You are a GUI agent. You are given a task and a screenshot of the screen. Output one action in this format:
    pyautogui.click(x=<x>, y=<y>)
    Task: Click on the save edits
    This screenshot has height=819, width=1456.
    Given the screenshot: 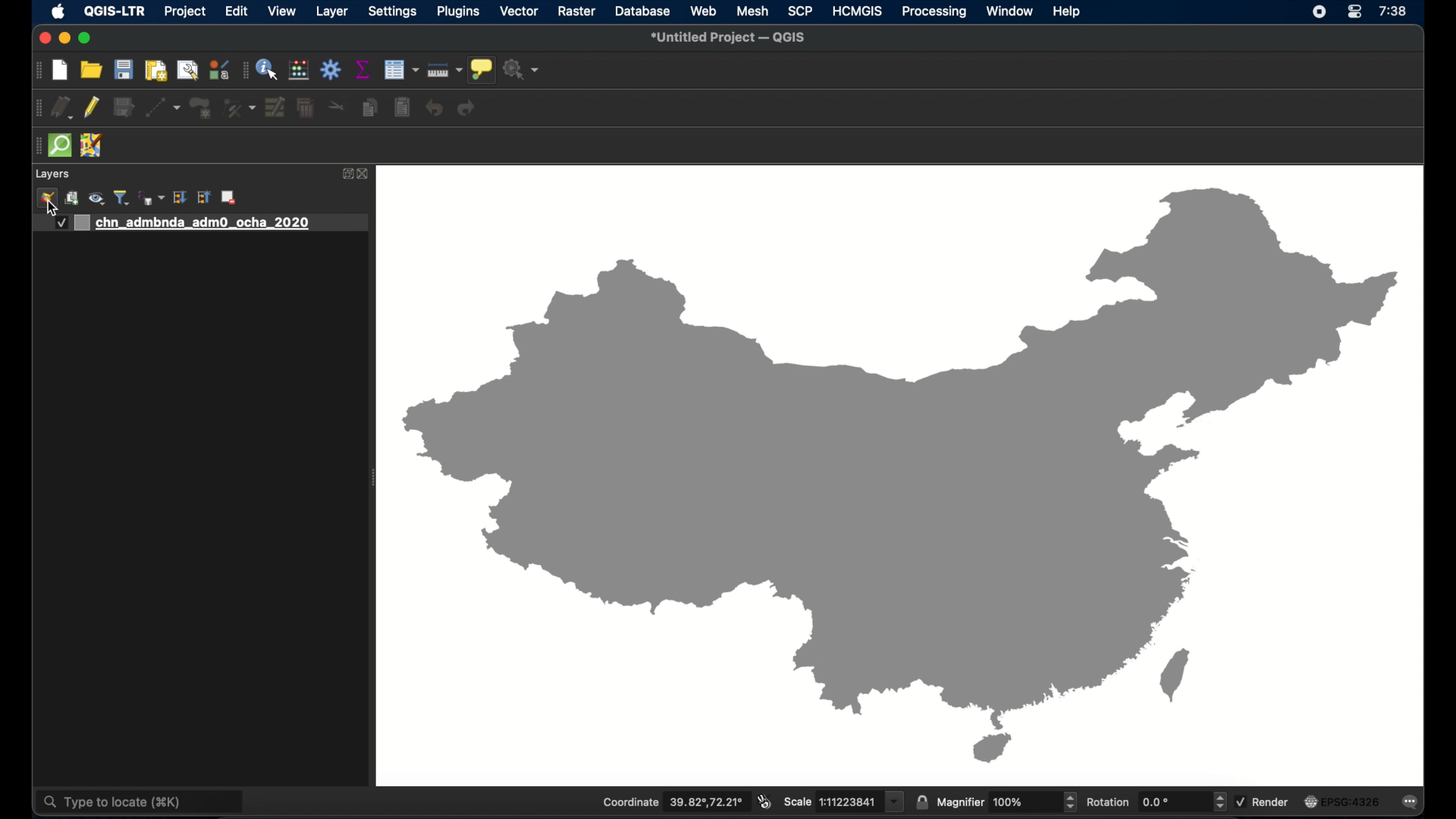 What is the action you would take?
    pyautogui.click(x=124, y=108)
    